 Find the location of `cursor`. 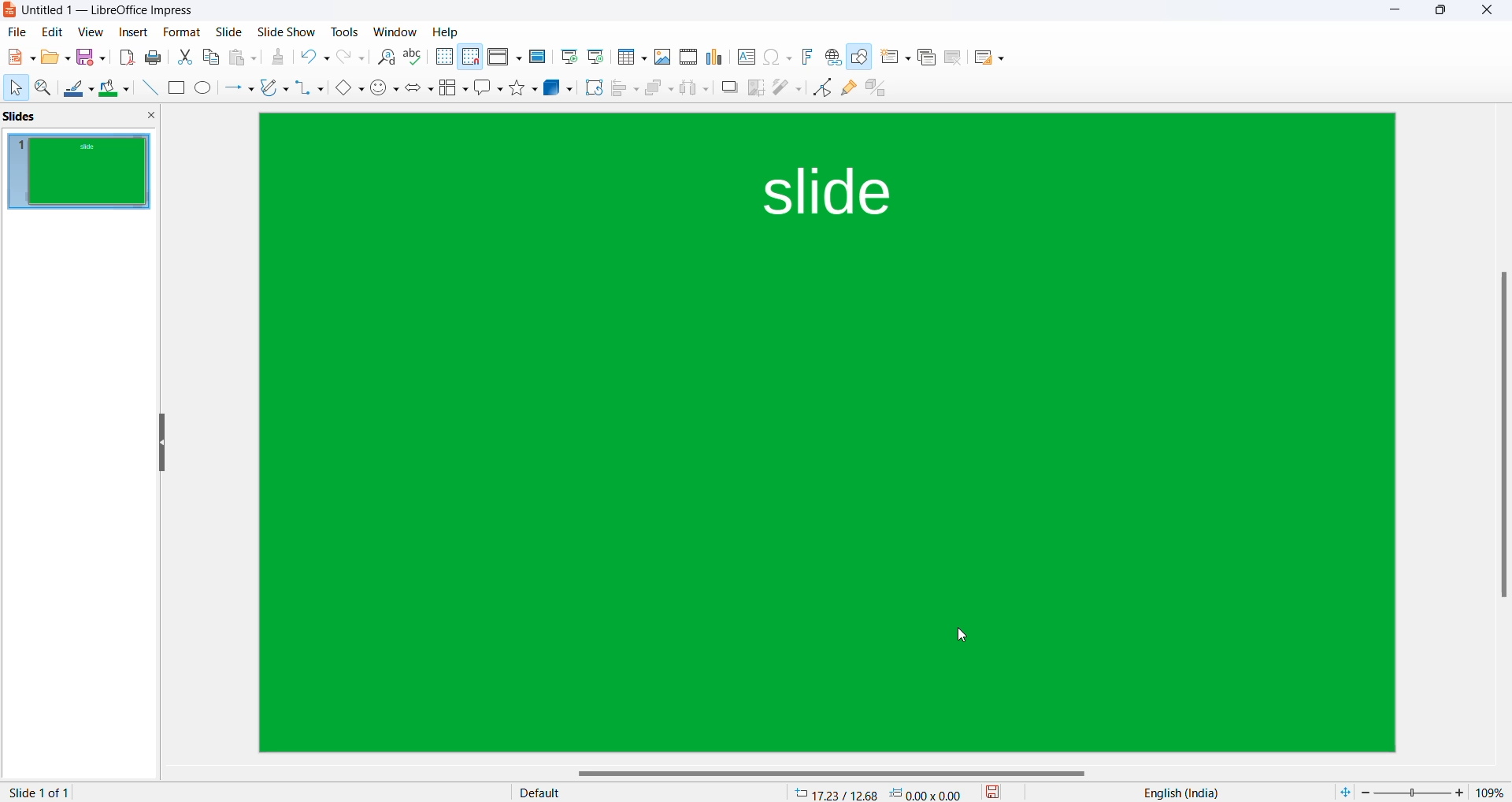

cursor is located at coordinates (963, 635).